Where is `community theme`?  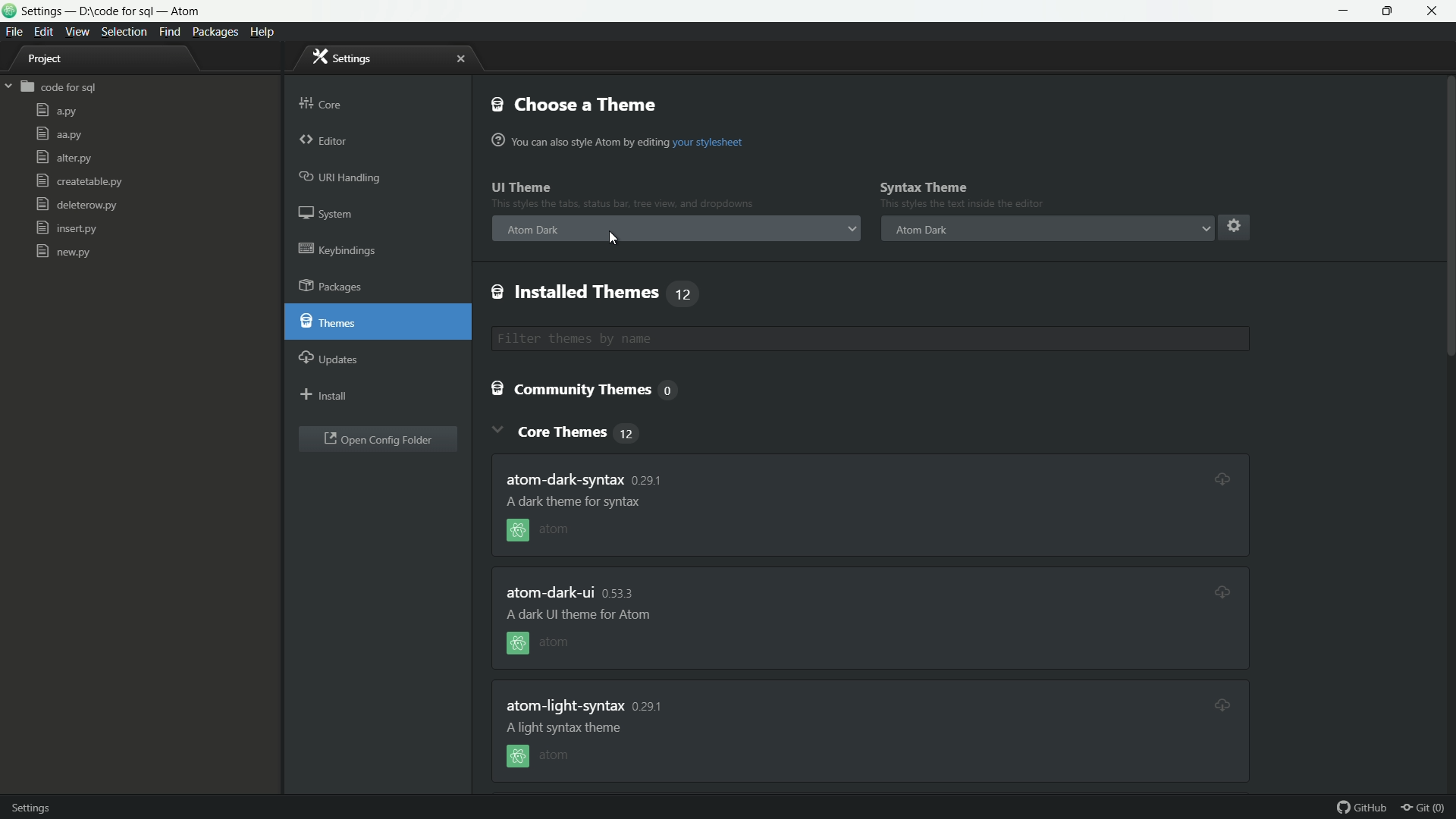
community theme is located at coordinates (590, 391).